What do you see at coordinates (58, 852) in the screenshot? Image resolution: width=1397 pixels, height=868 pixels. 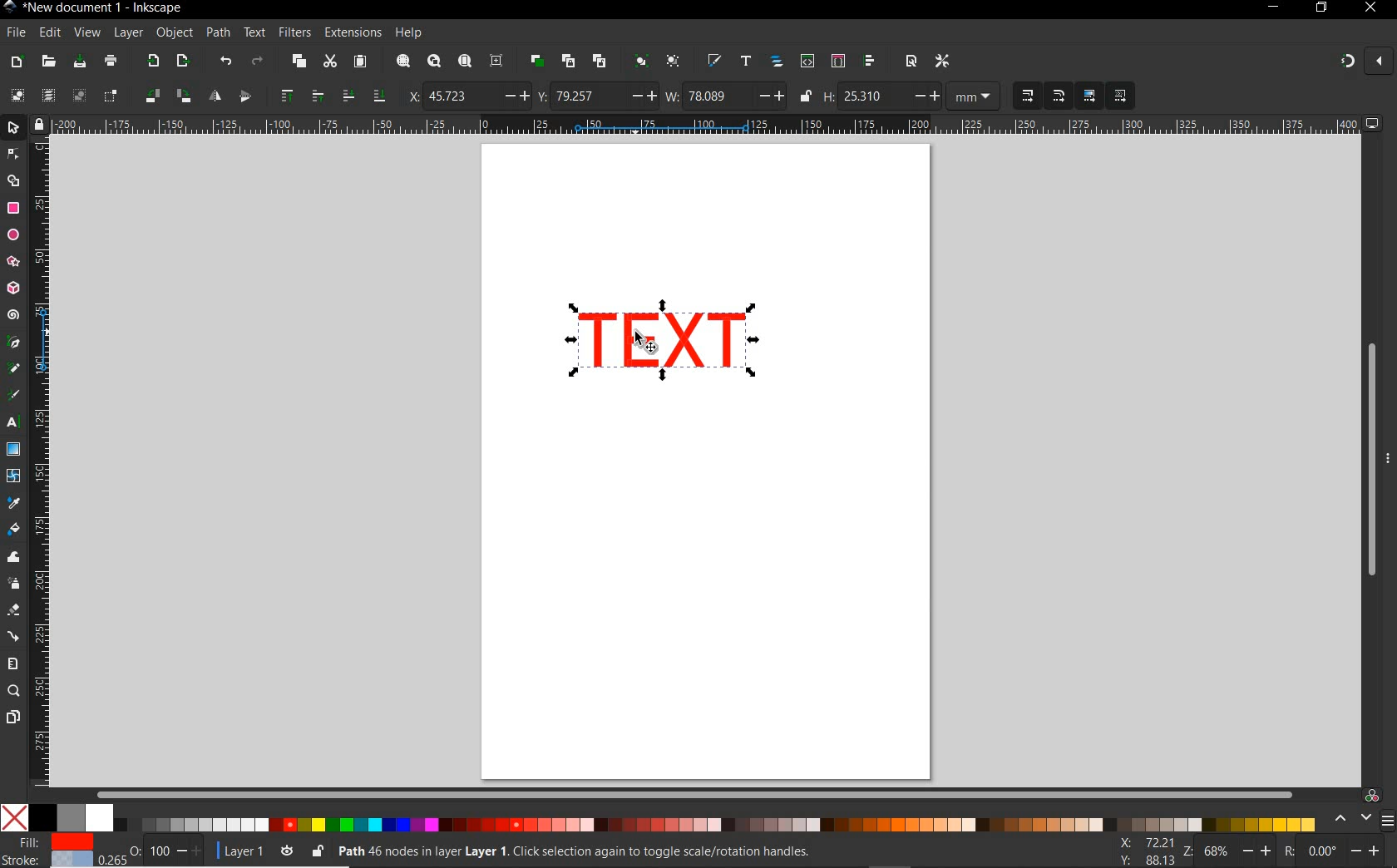 I see `FILE & STROKE` at bounding box center [58, 852].